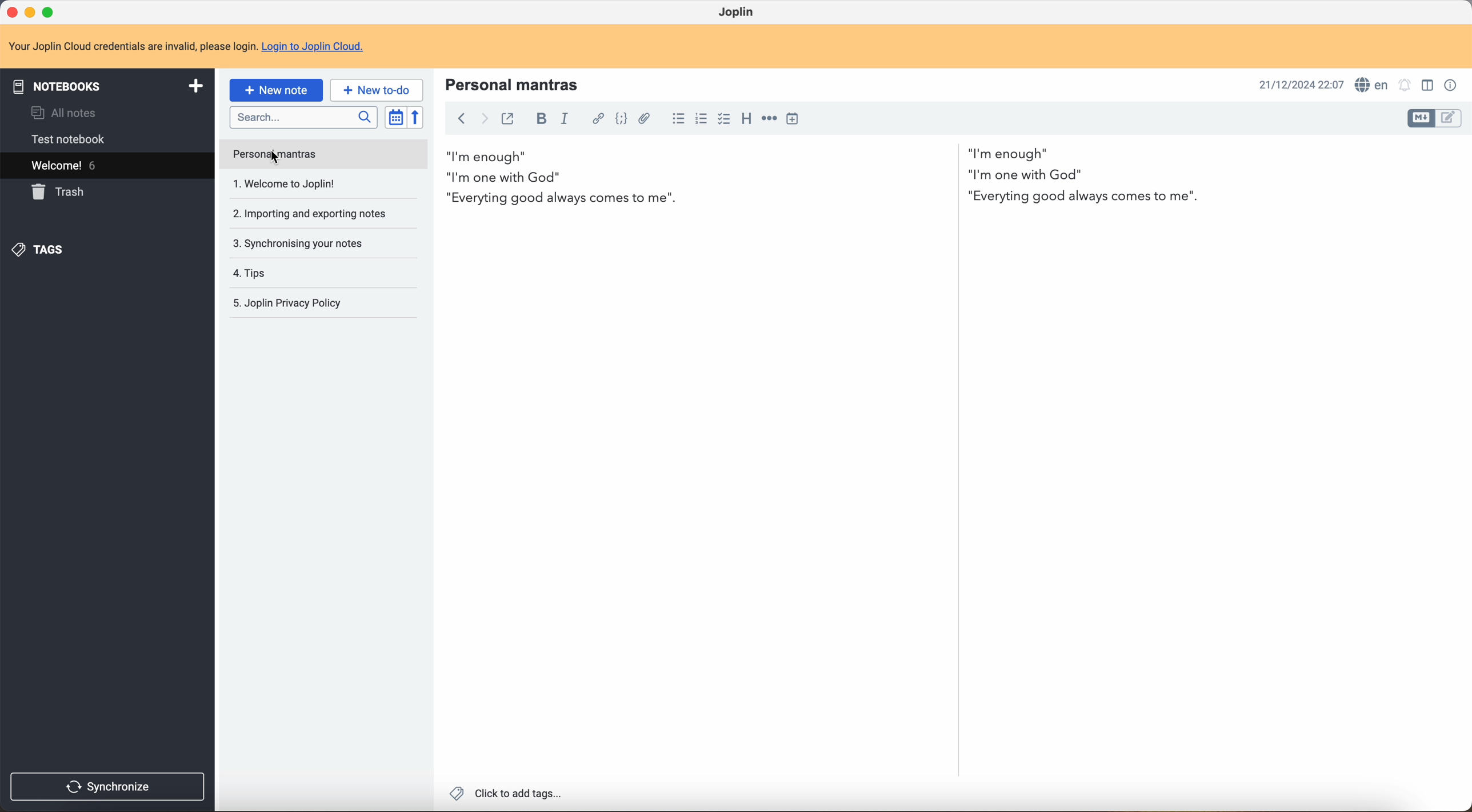 The height and width of the screenshot is (812, 1472). I want to click on click on personal mantras note, so click(323, 154).